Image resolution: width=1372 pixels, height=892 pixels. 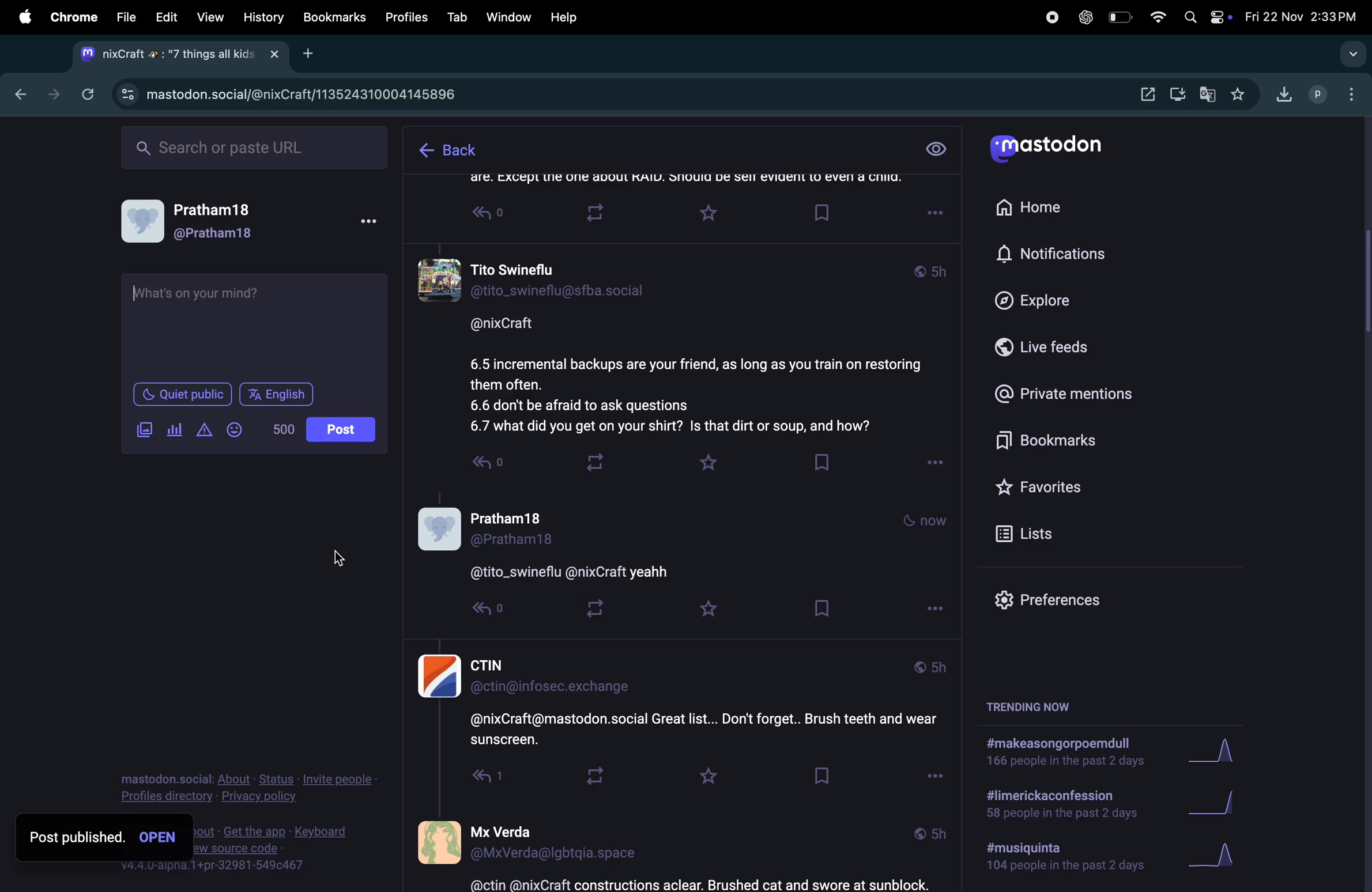 What do you see at coordinates (936, 214) in the screenshot?
I see `Options` at bounding box center [936, 214].